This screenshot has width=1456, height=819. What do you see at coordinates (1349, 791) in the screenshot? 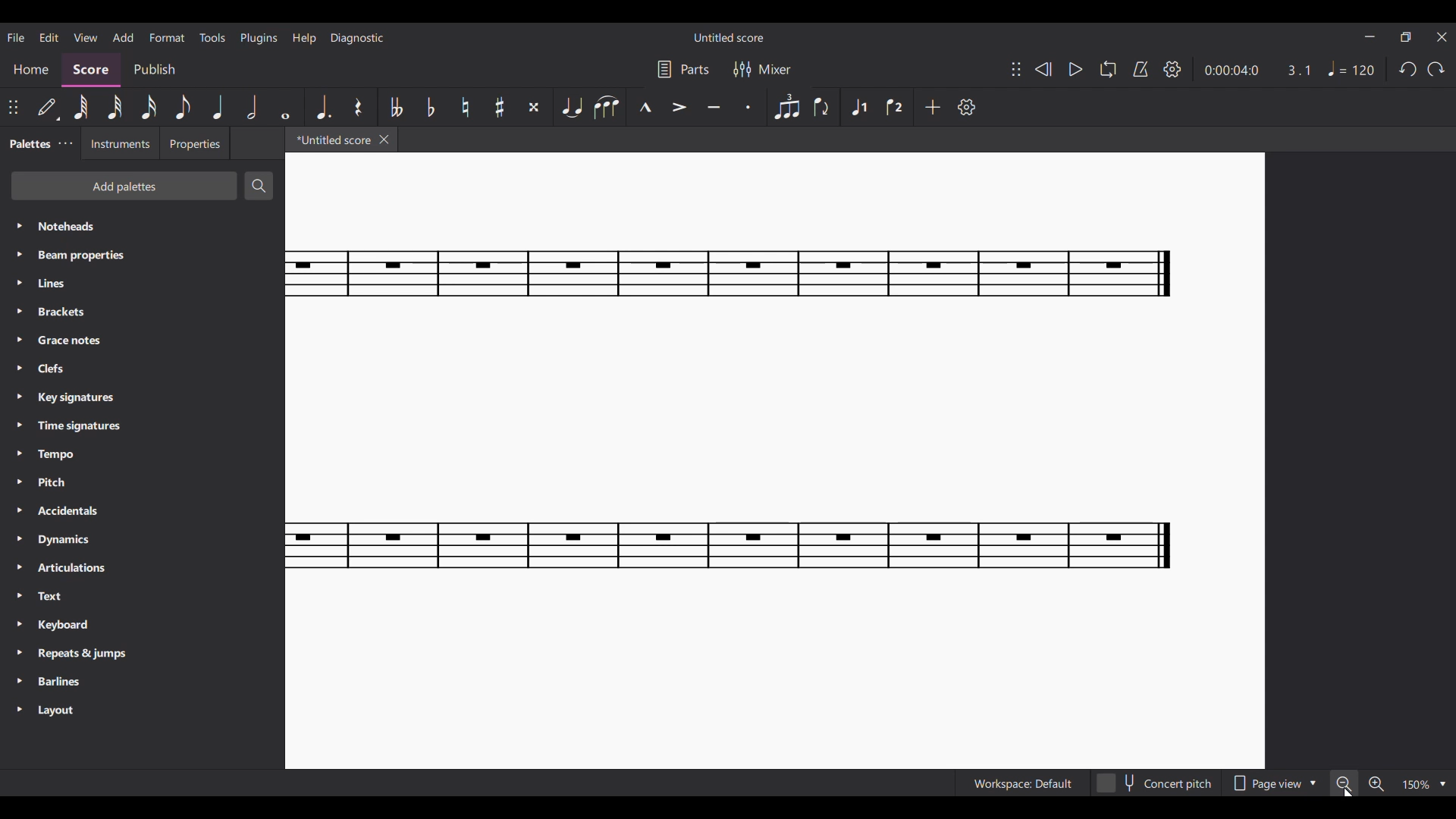
I see `Cursor` at bounding box center [1349, 791].